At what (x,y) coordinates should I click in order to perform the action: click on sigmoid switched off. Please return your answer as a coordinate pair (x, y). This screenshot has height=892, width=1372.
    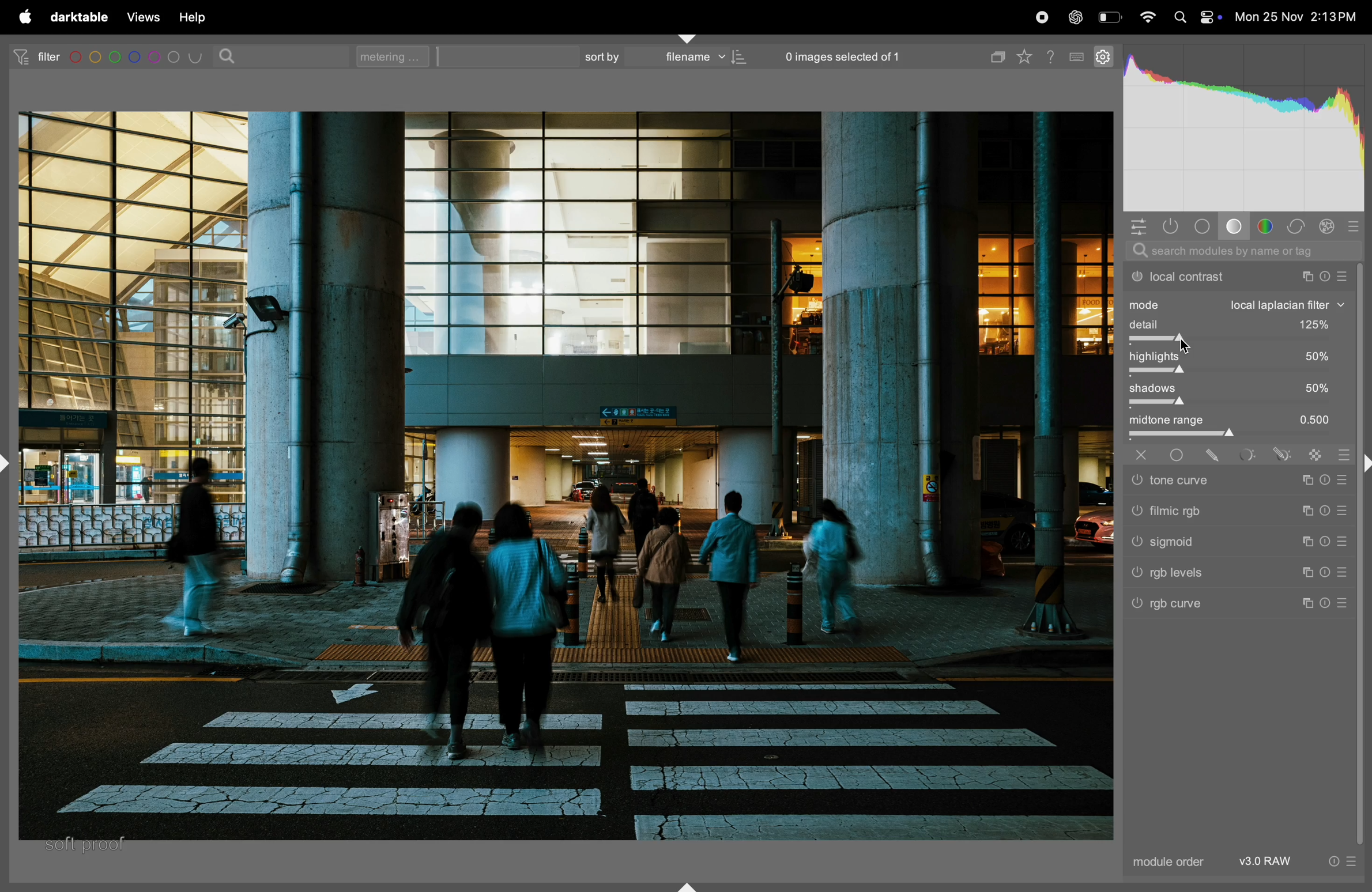
    Looking at the image, I should click on (1134, 544).